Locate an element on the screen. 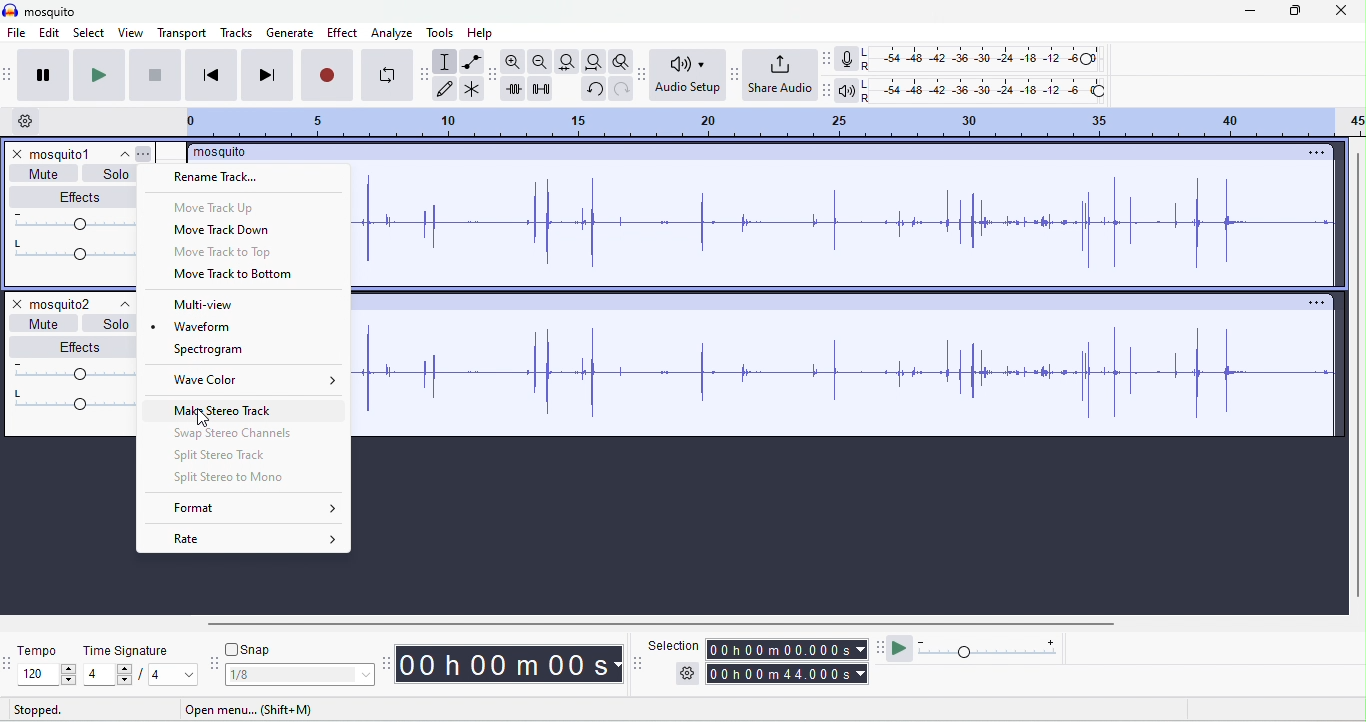  solo is located at coordinates (114, 173).